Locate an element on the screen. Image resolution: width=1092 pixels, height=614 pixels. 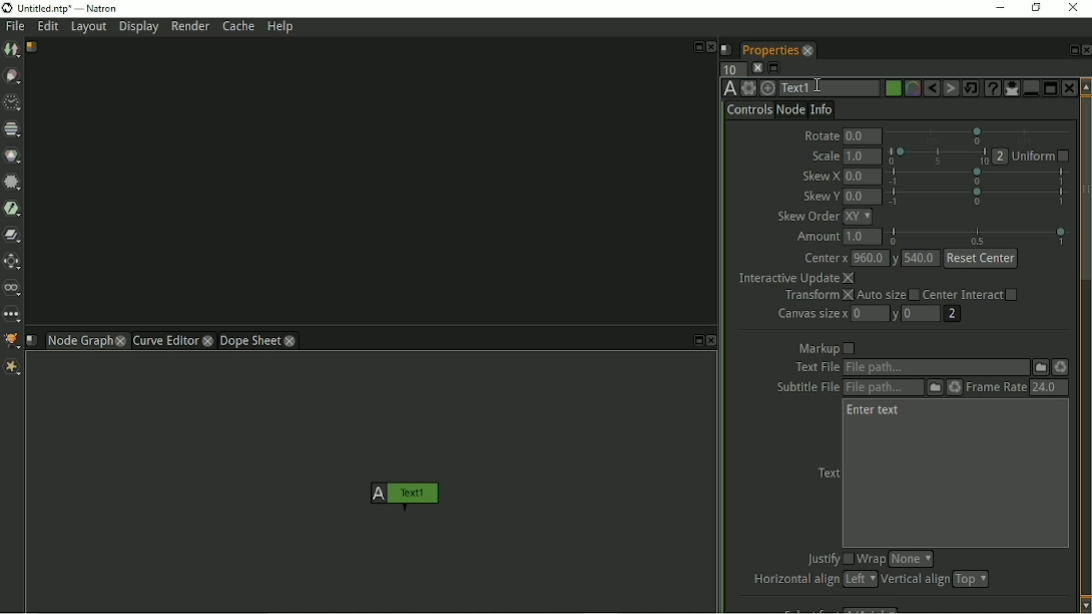
Float pane is located at coordinates (696, 45).